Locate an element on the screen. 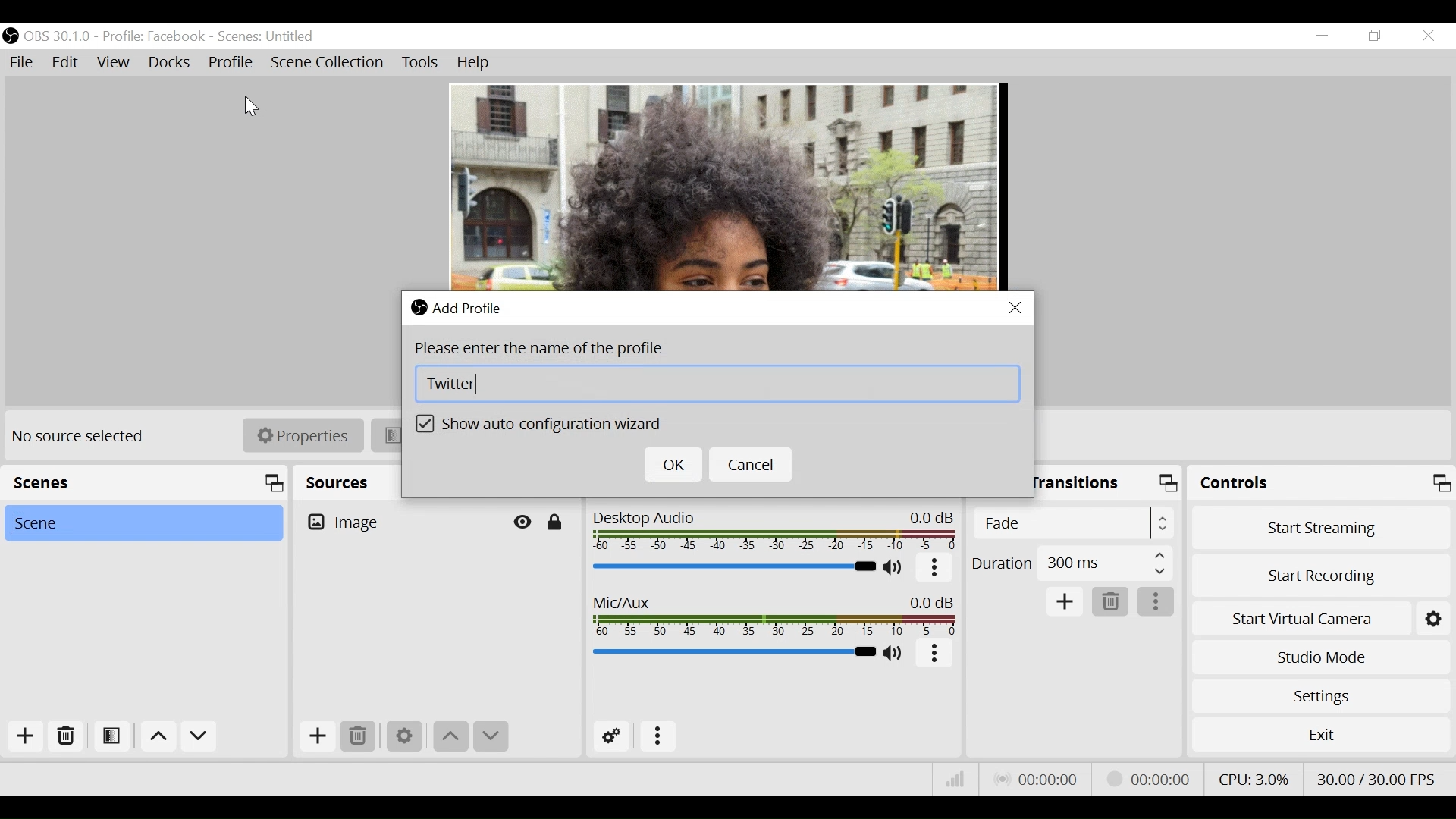  Add Profile is located at coordinates (466, 309).